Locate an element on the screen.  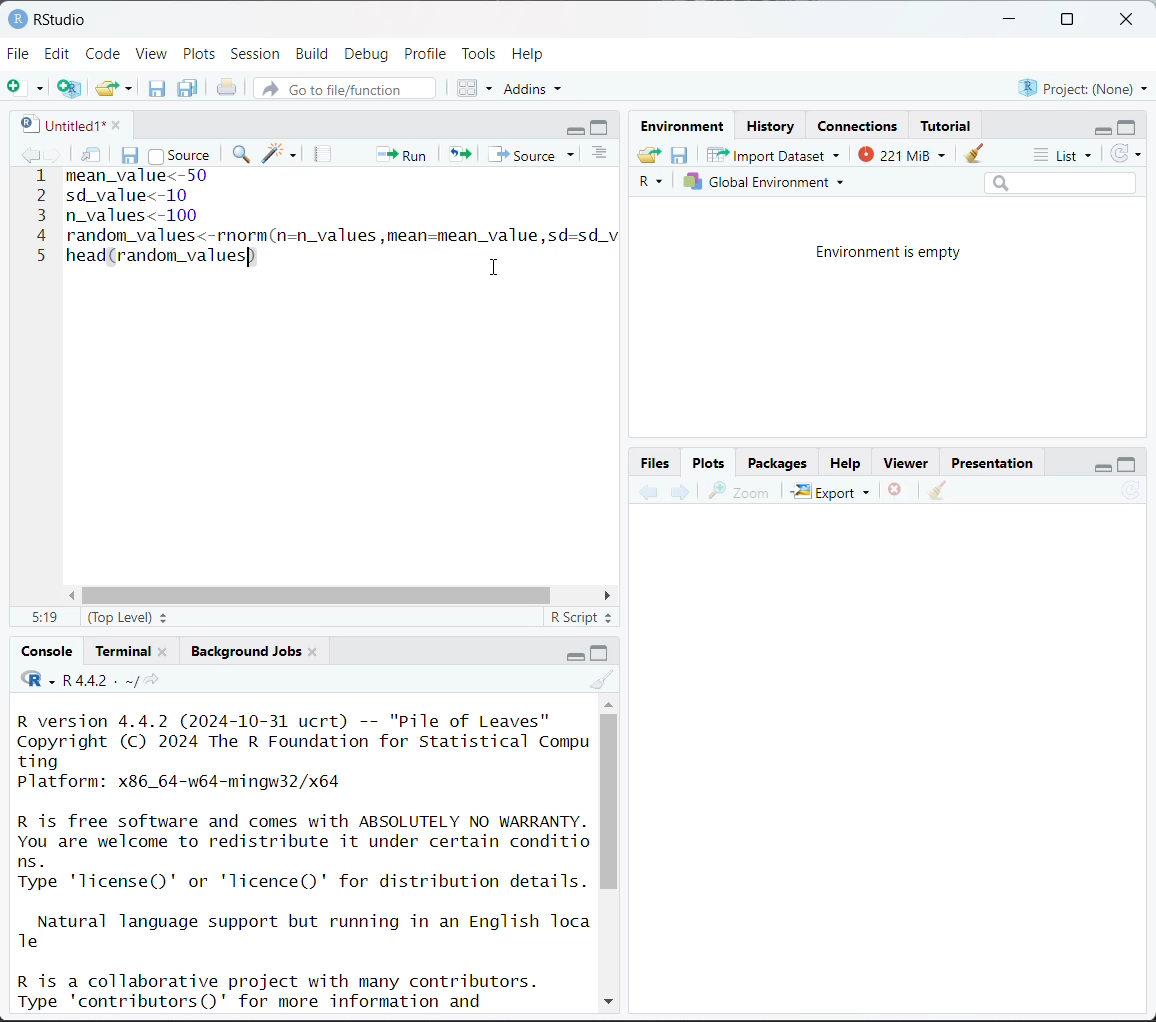
close is located at coordinates (111, 123).